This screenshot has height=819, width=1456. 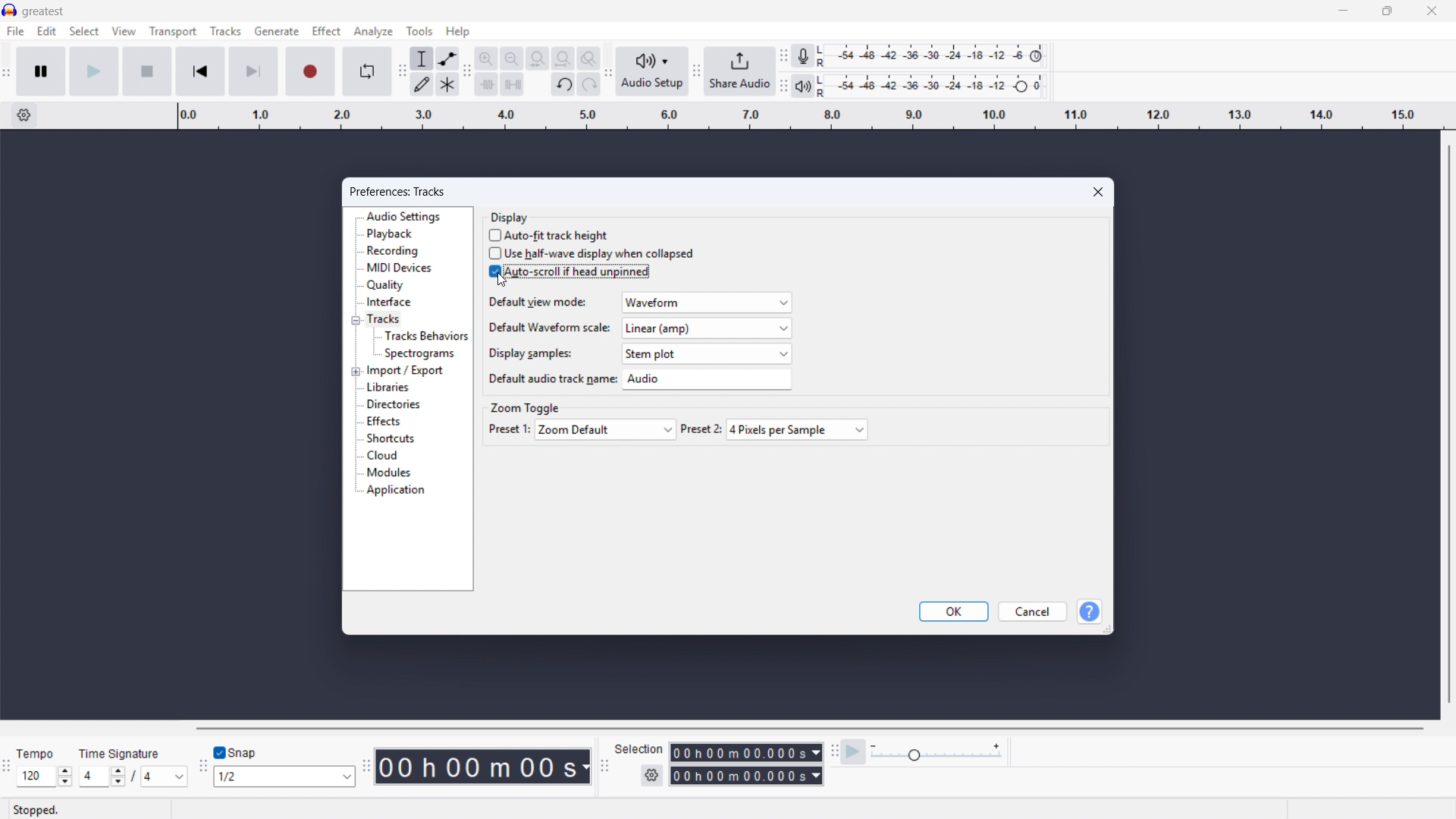 What do you see at coordinates (148, 72) in the screenshot?
I see `stop ` at bounding box center [148, 72].